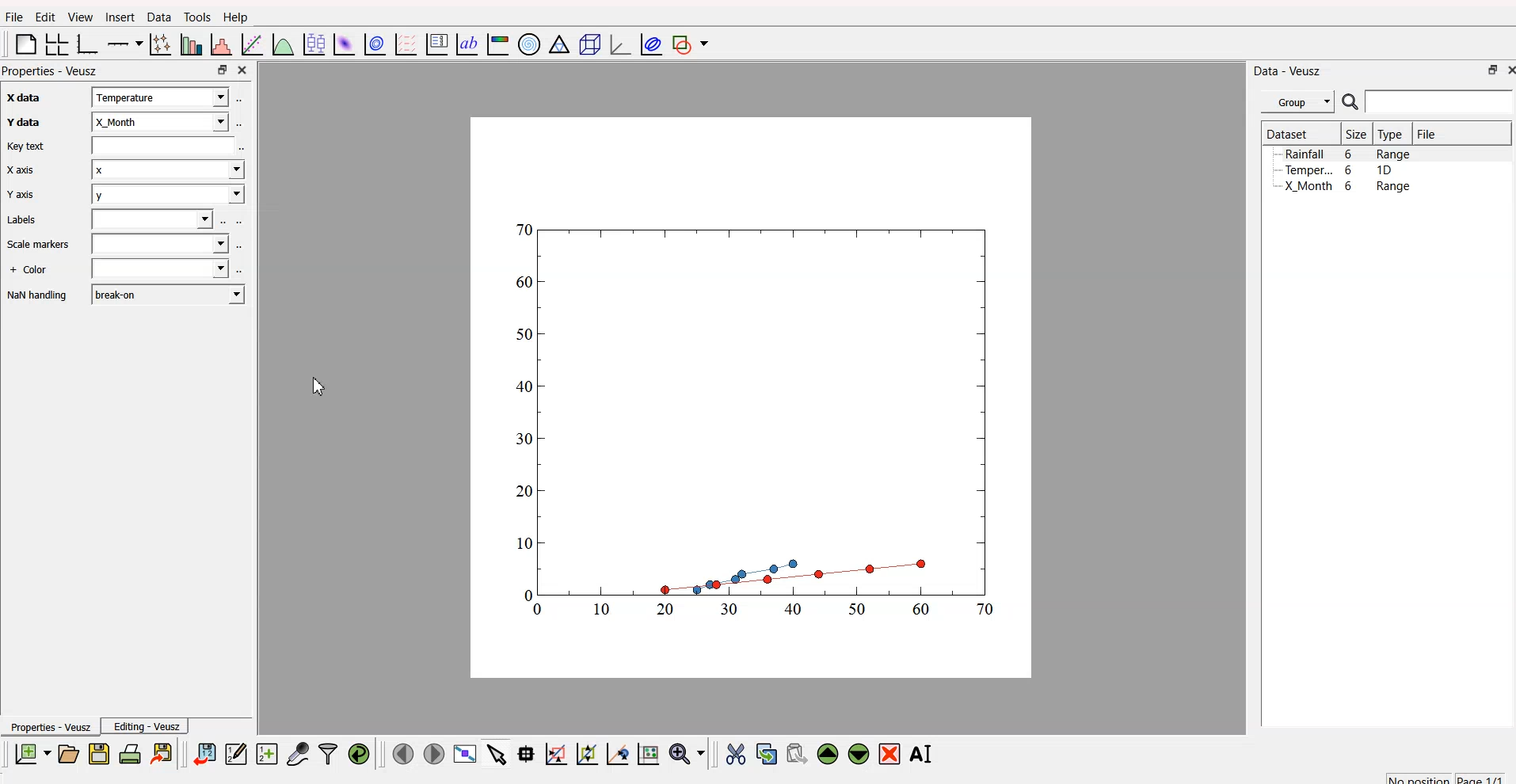 Image resolution: width=1516 pixels, height=784 pixels. I want to click on plot box plots, so click(314, 43).